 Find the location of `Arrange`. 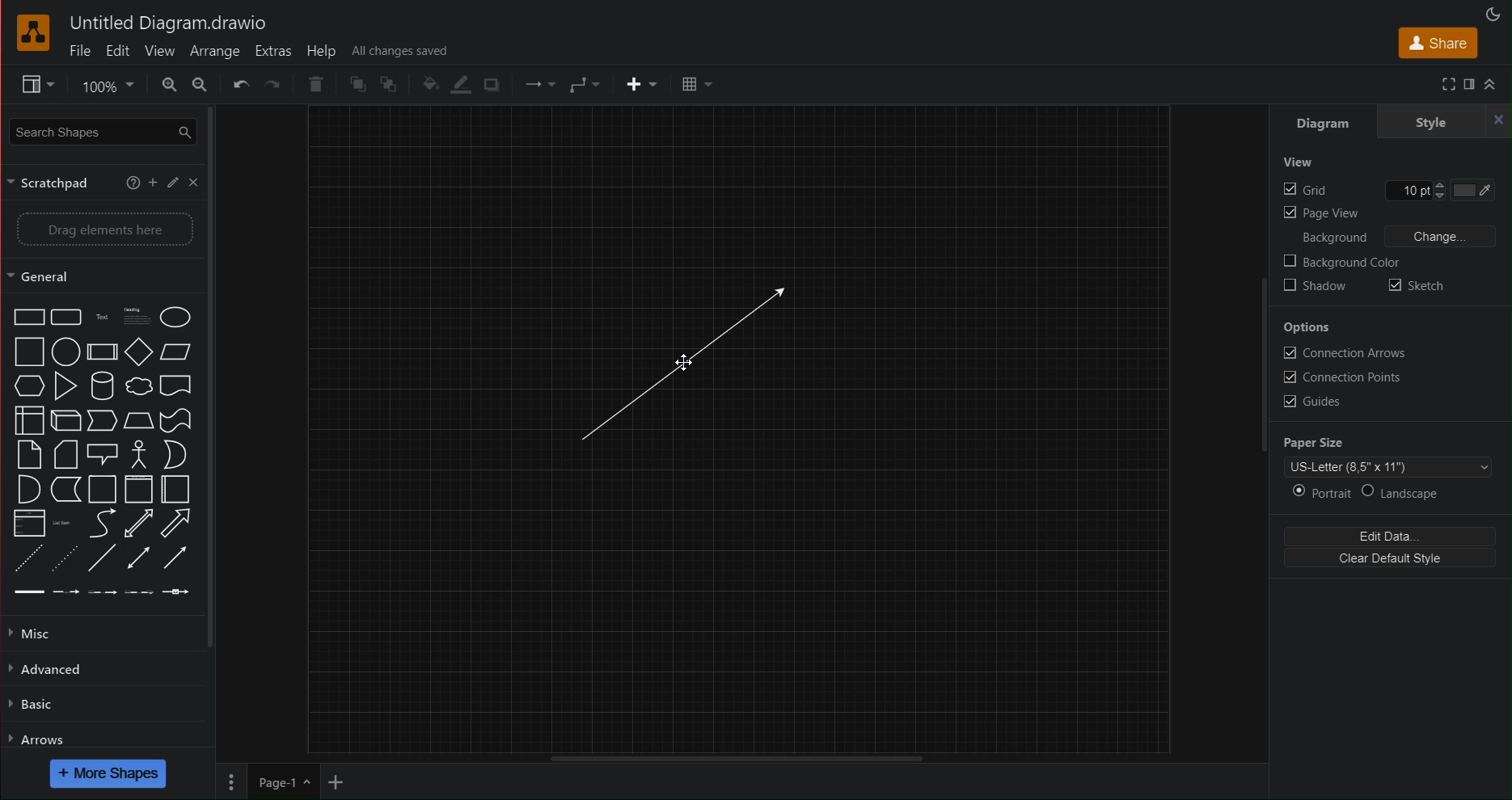

Arrange is located at coordinates (214, 50).